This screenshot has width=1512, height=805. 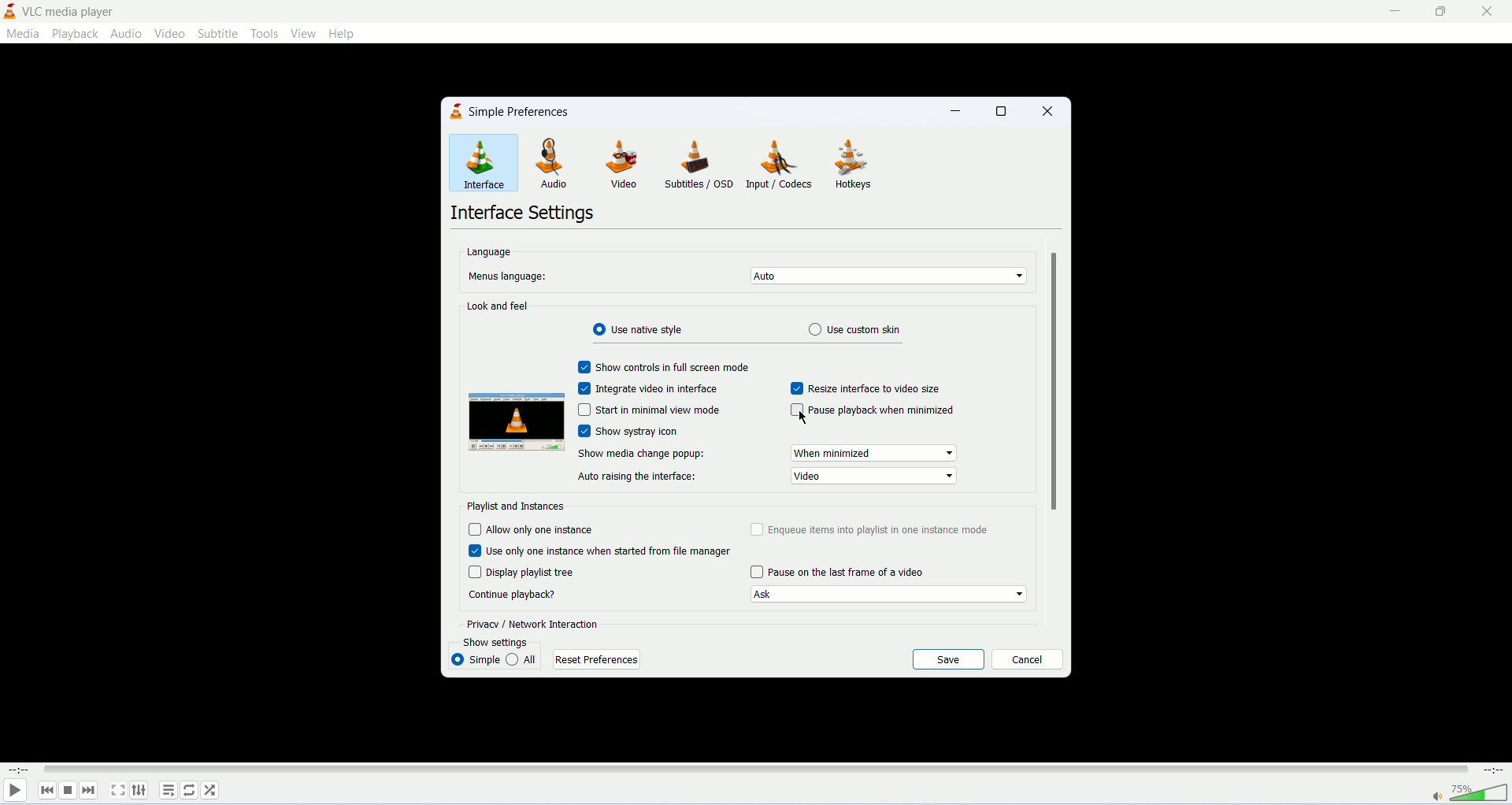 I want to click on display playlist tree, so click(x=535, y=575).